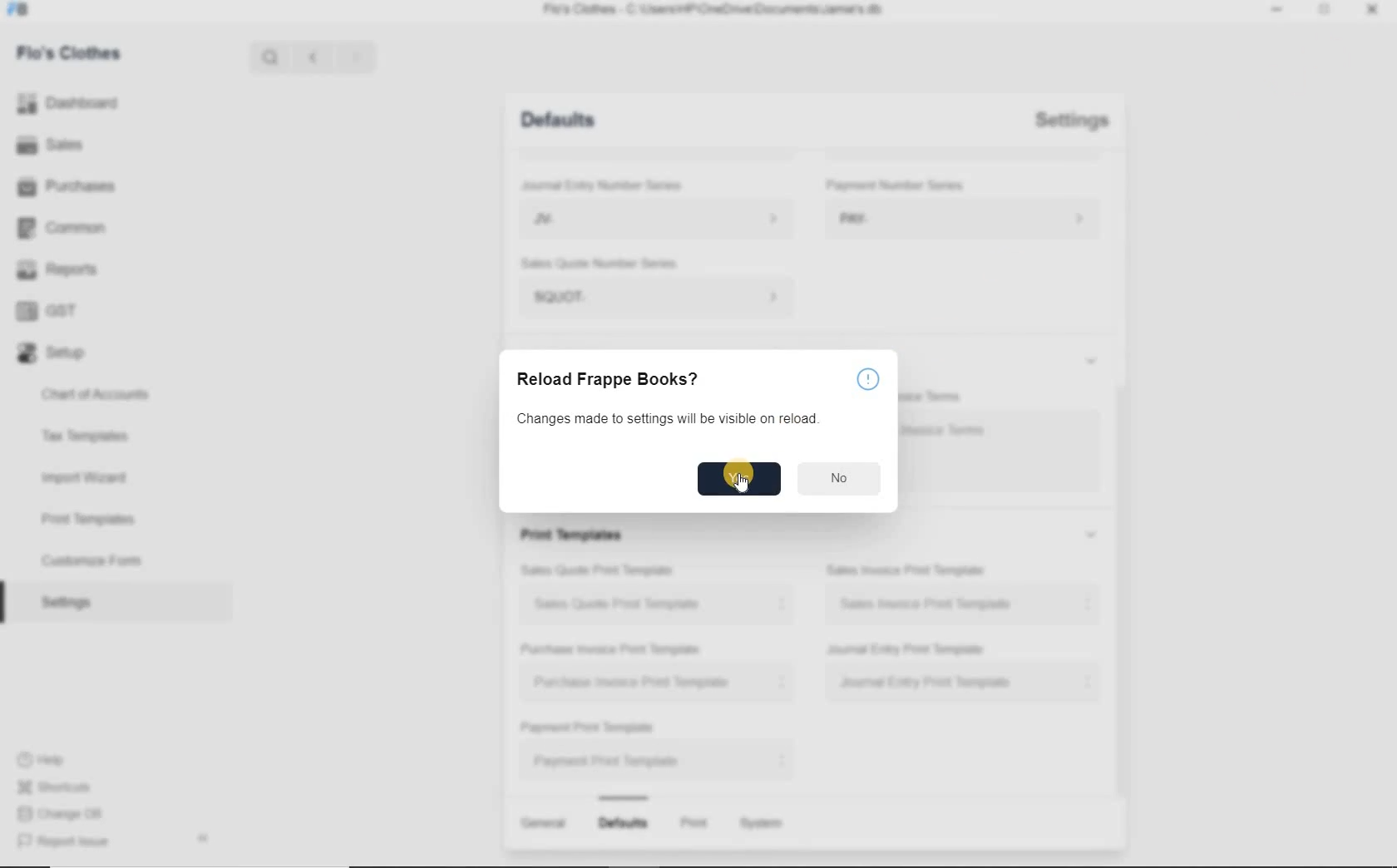 This screenshot has height=868, width=1397. Describe the element at coordinates (605, 379) in the screenshot. I see `Reload Frappe Books?` at that location.